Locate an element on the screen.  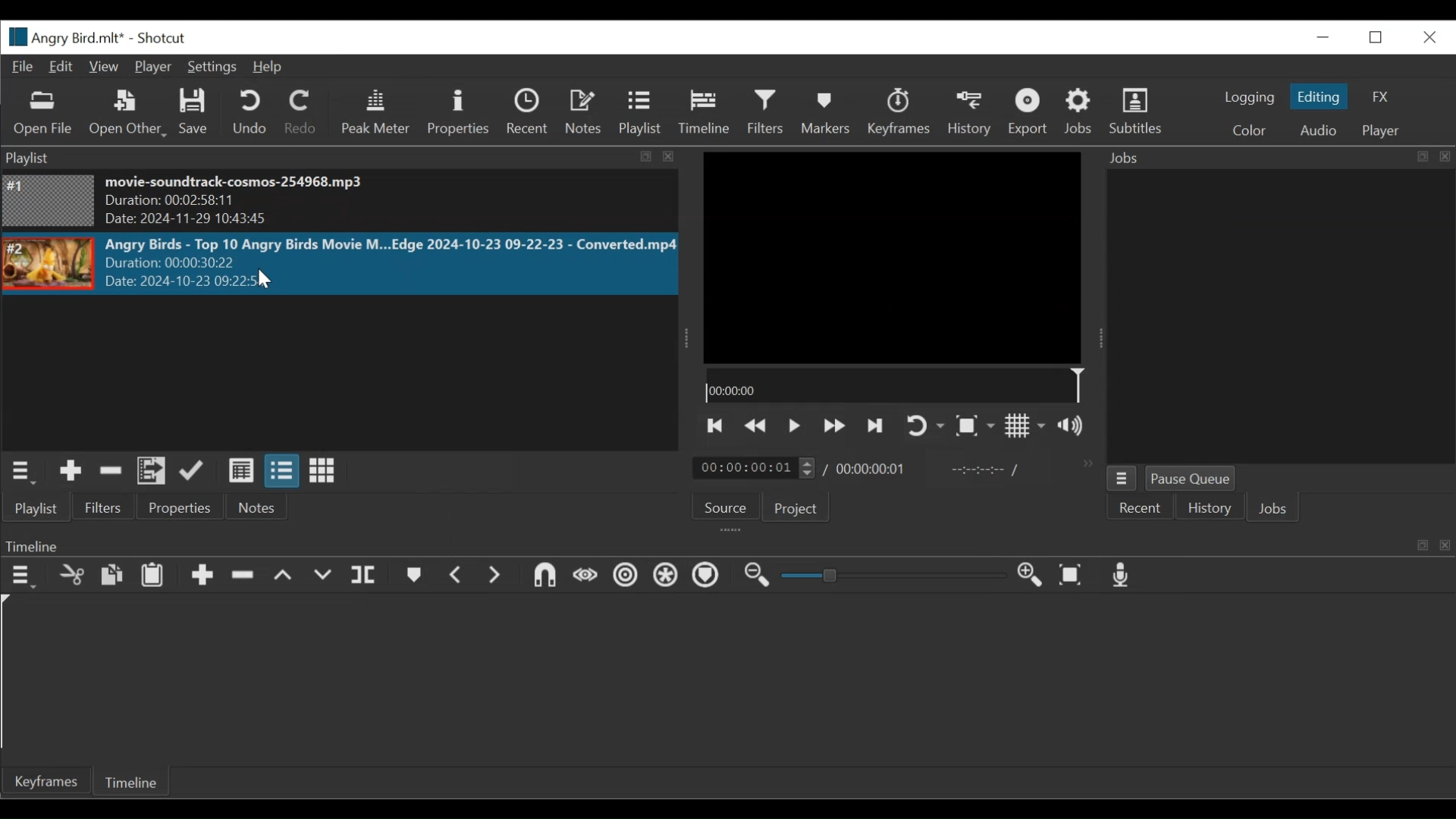
Previous marker is located at coordinates (456, 574).